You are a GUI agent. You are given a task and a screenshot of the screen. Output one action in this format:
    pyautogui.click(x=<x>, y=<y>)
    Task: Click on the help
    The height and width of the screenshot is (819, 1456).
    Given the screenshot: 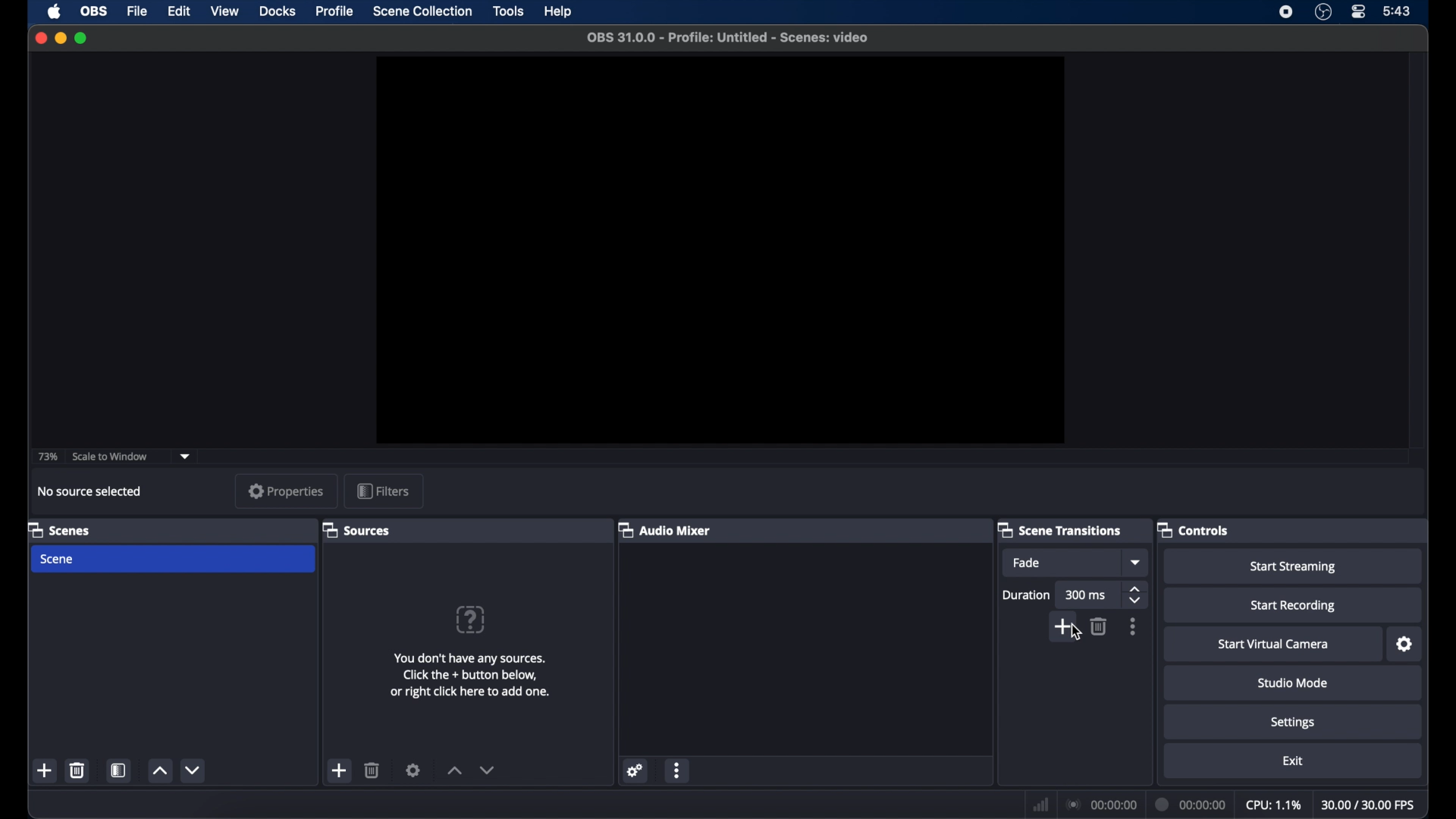 What is the action you would take?
    pyautogui.click(x=559, y=10)
    